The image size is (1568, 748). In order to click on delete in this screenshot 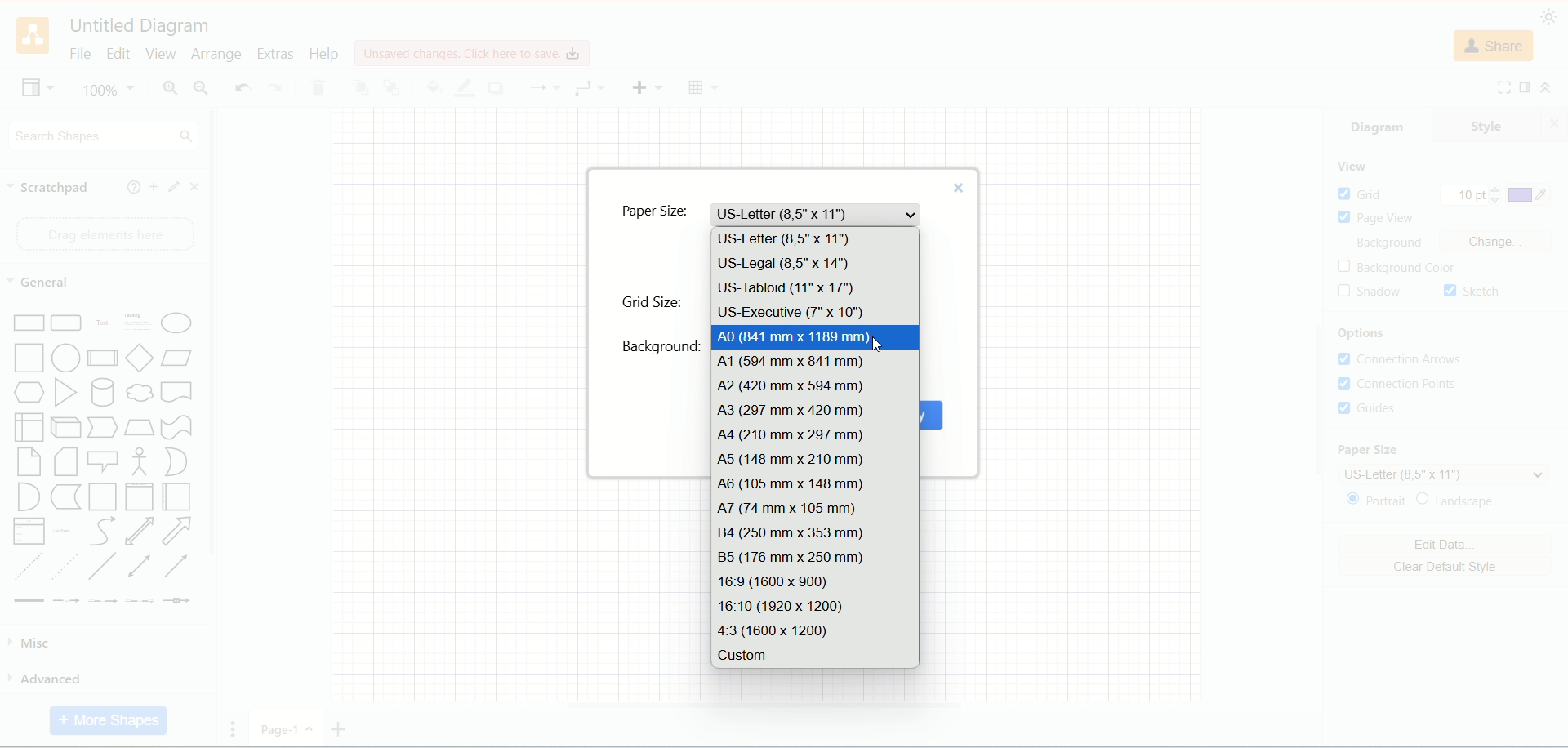, I will do `click(318, 88)`.